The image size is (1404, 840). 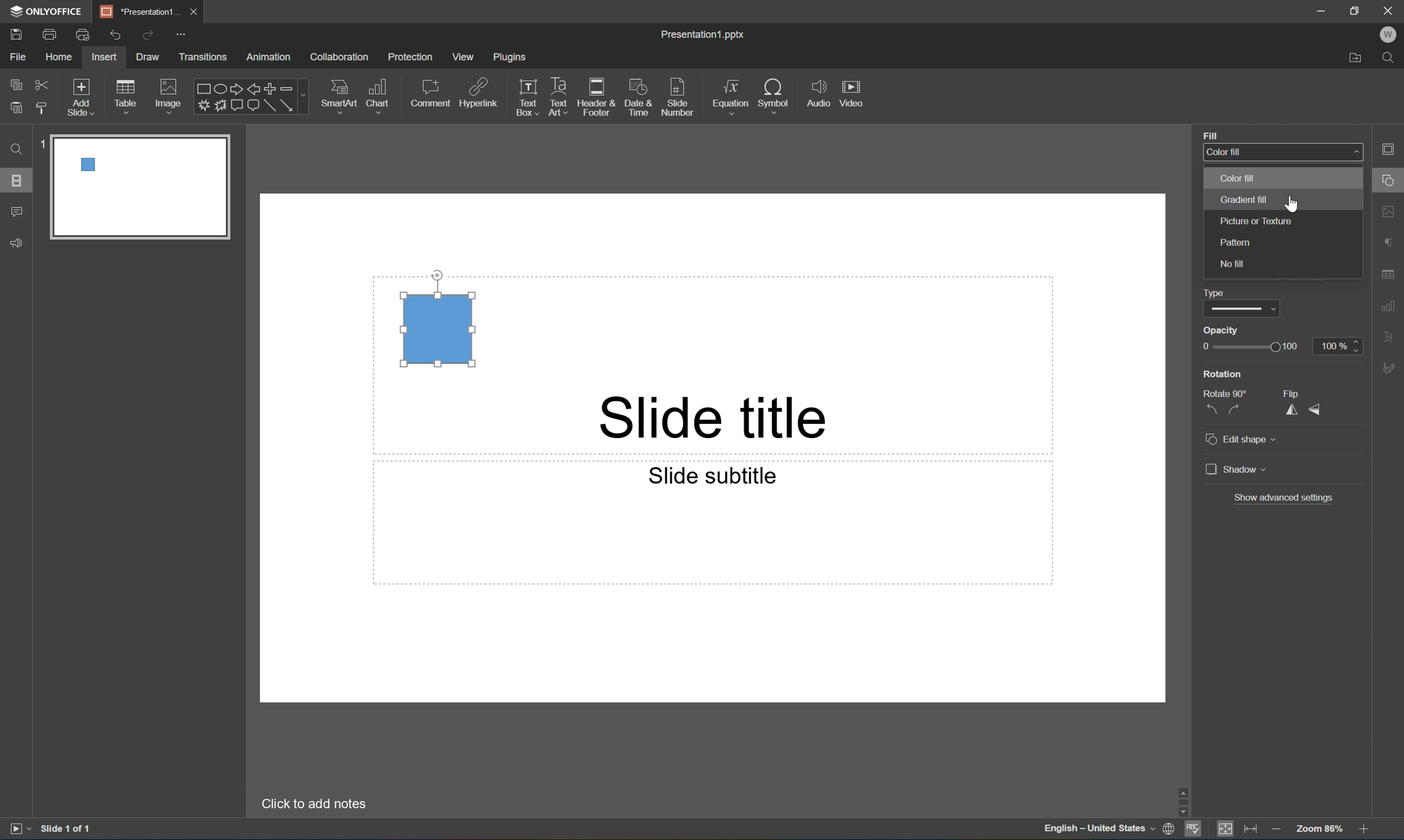 What do you see at coordinates (268, 58) in the screenshot?
I see `Animation` at bounding box center [268, 58].